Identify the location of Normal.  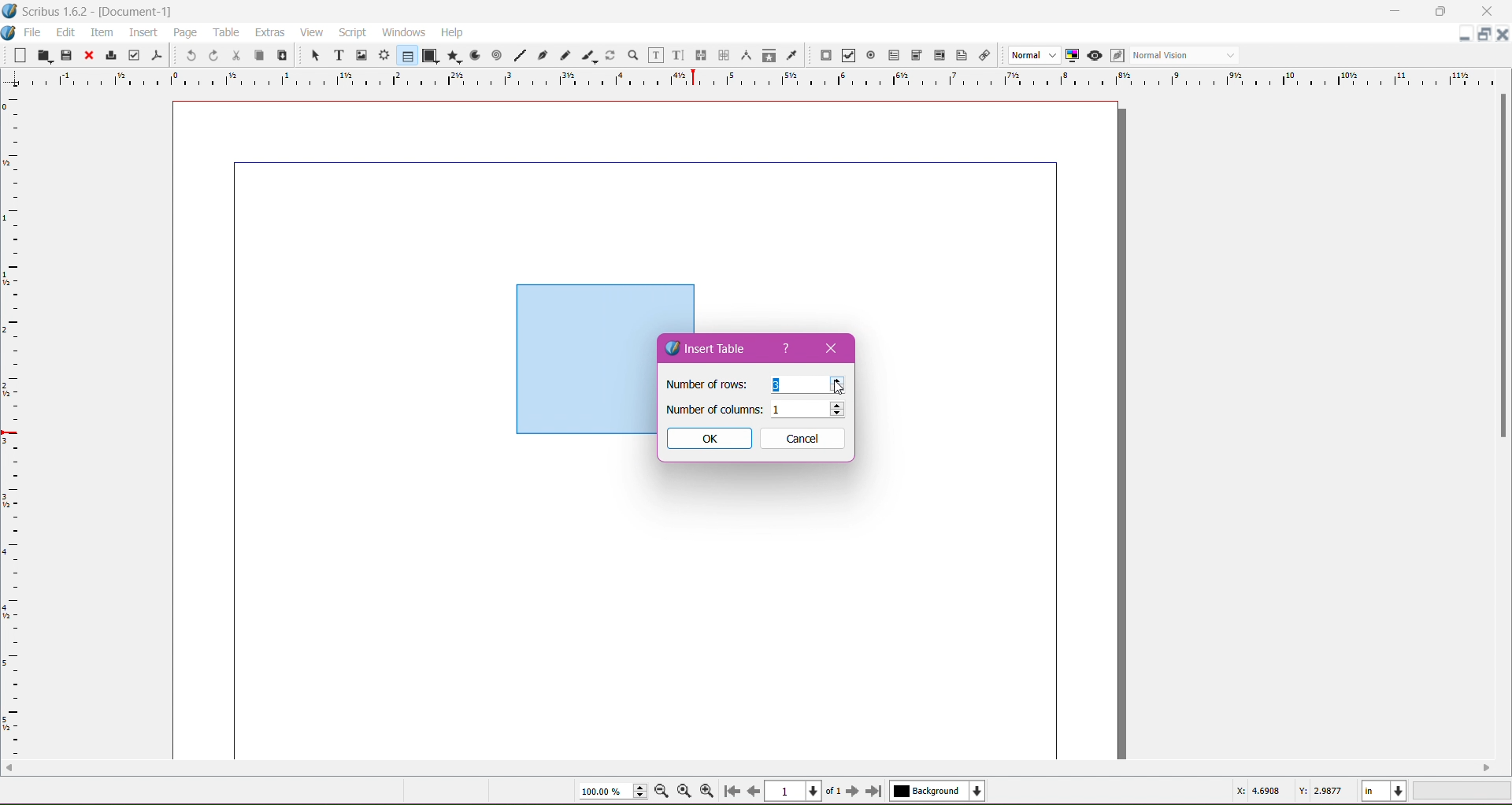
(1032, 56).